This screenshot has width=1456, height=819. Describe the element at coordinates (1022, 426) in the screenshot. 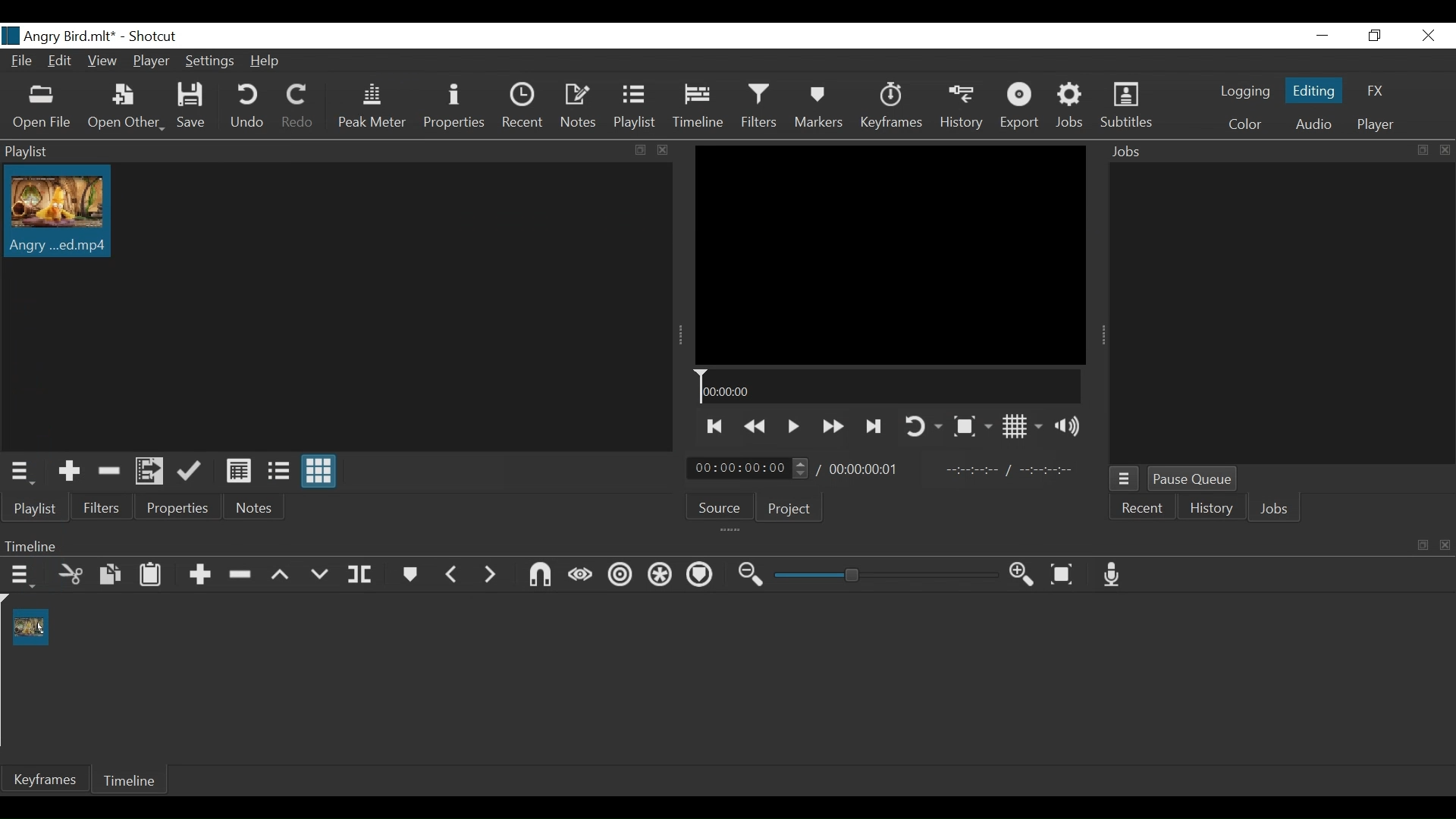

I see `Toggle display grid on the player` at that location.